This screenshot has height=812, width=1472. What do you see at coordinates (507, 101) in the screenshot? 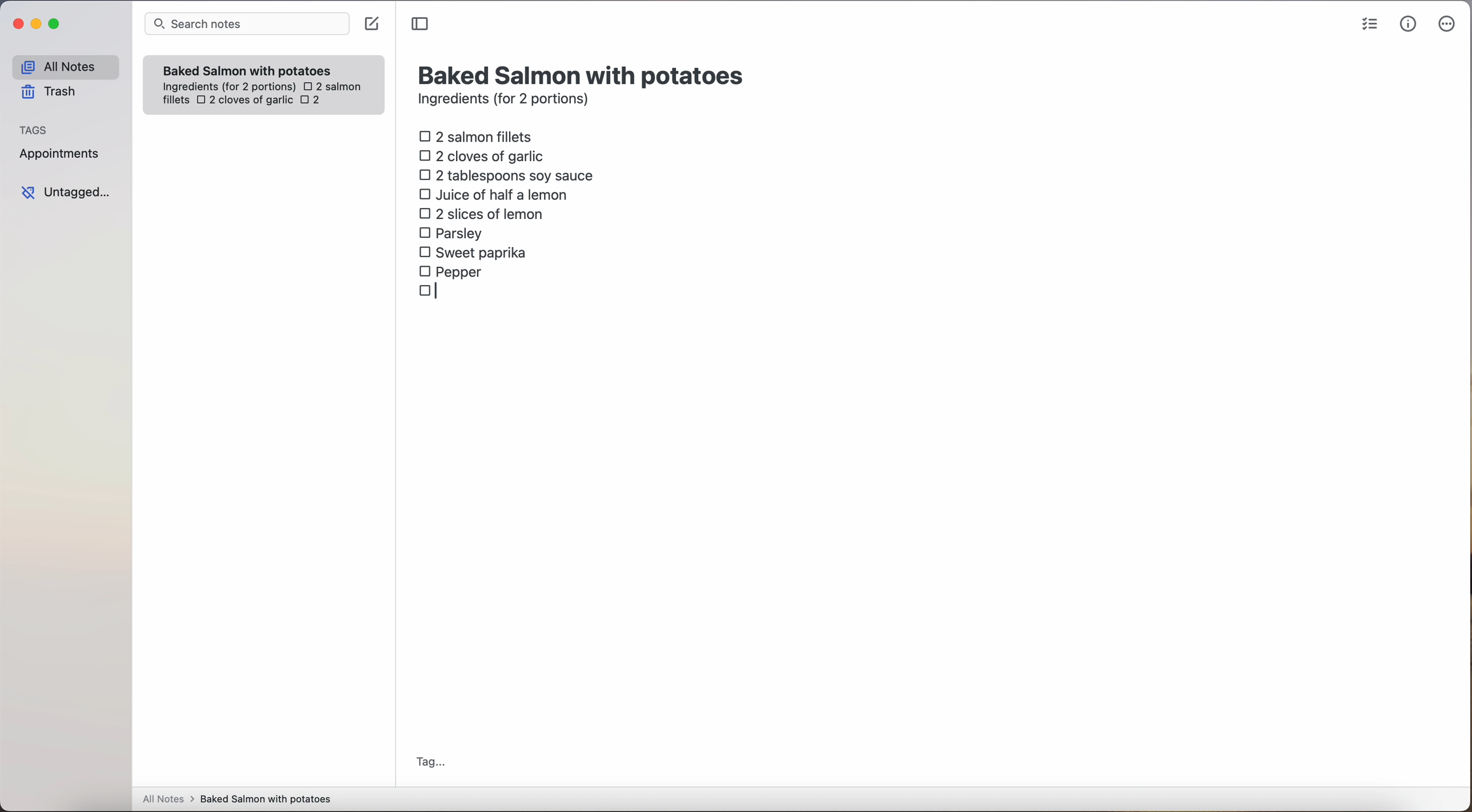
I see `ingredients (for 2 portions)` at bounding box center [507, 101].